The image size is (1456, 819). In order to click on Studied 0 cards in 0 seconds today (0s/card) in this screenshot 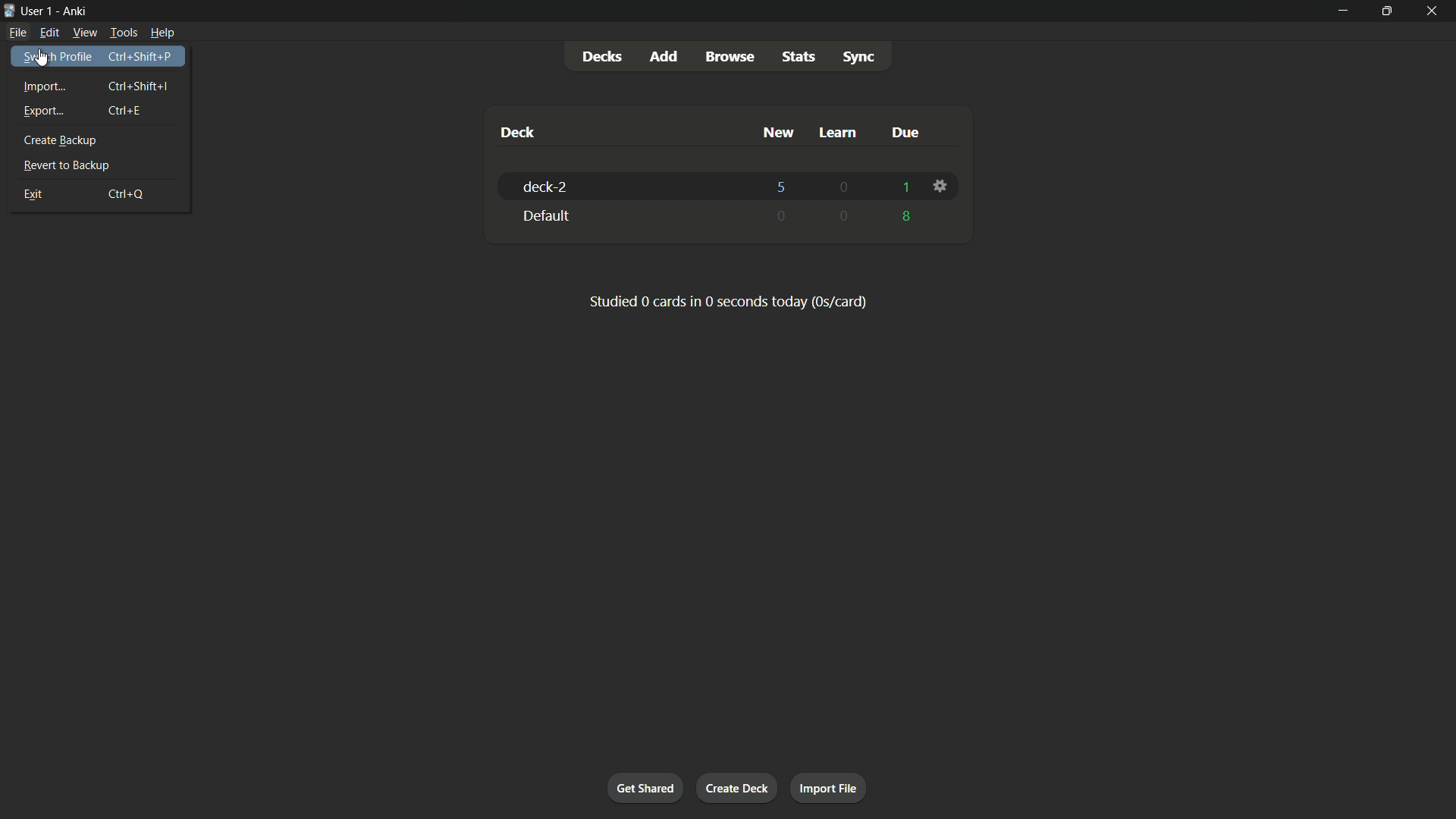, I will do `click(729, 301)`.